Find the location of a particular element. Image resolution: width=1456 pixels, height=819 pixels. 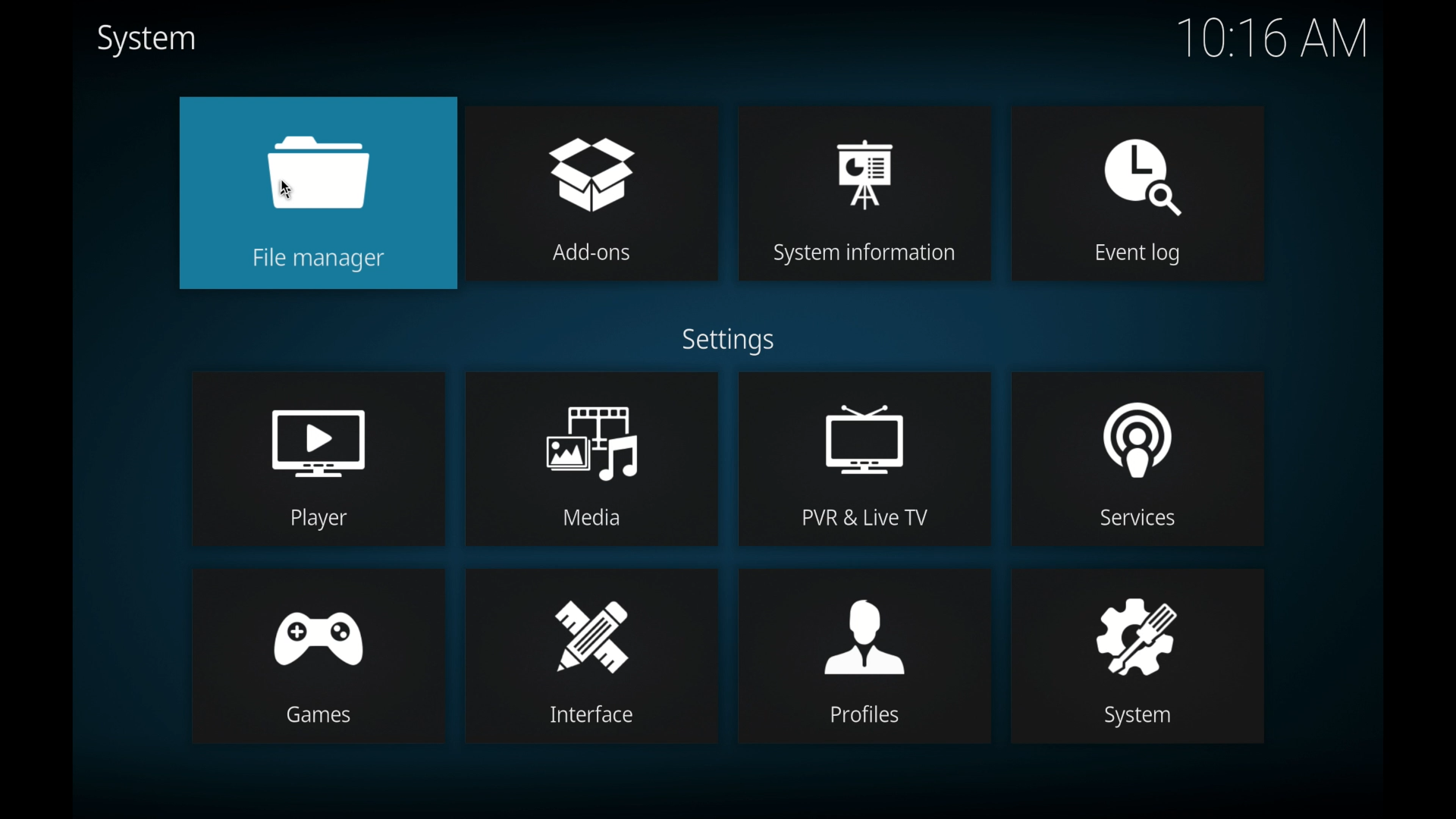

10.16 am is located at coordinates (1273, 39).